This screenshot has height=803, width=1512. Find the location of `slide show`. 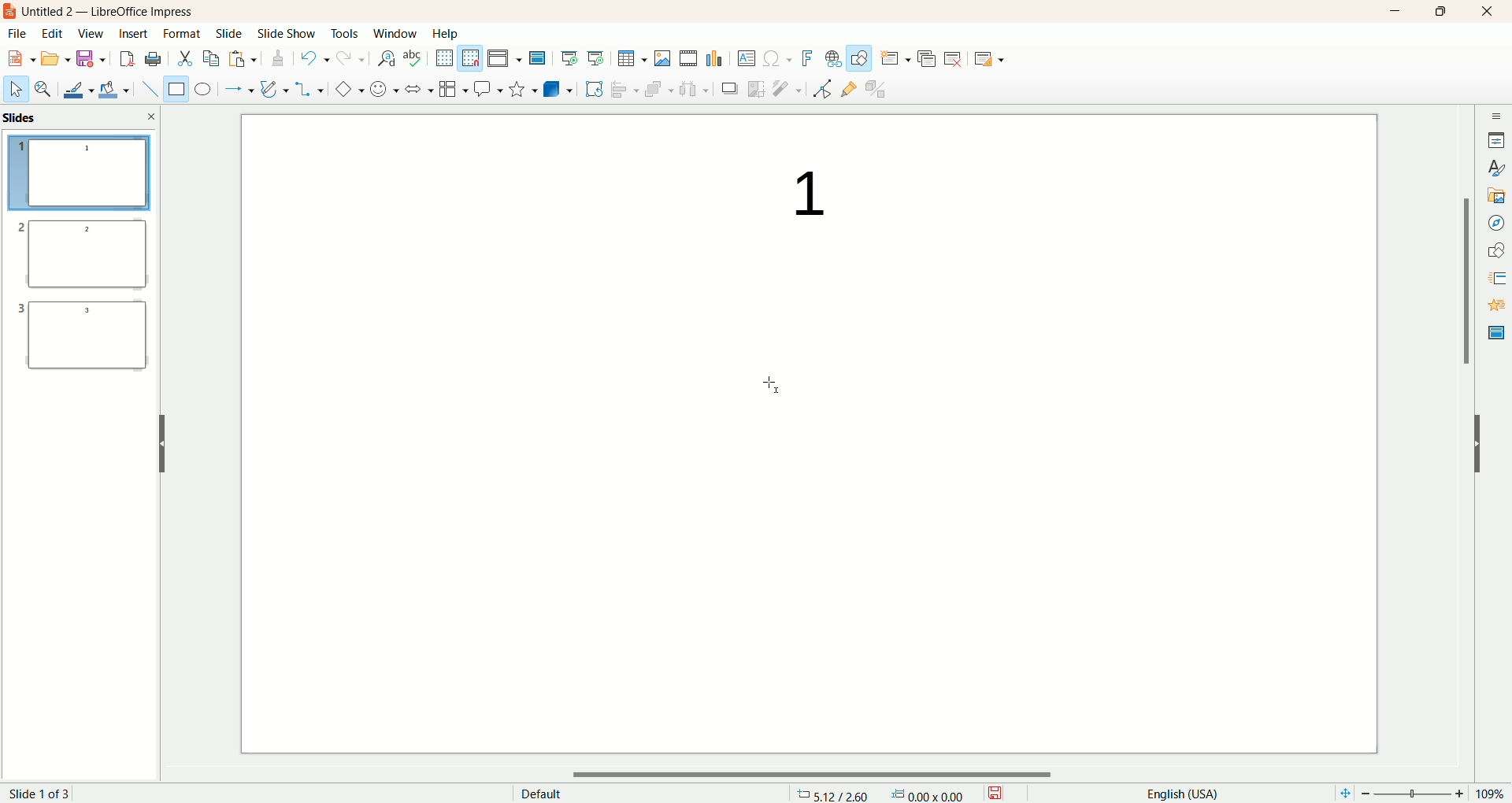

slide show is located at coordinates (289, 34).